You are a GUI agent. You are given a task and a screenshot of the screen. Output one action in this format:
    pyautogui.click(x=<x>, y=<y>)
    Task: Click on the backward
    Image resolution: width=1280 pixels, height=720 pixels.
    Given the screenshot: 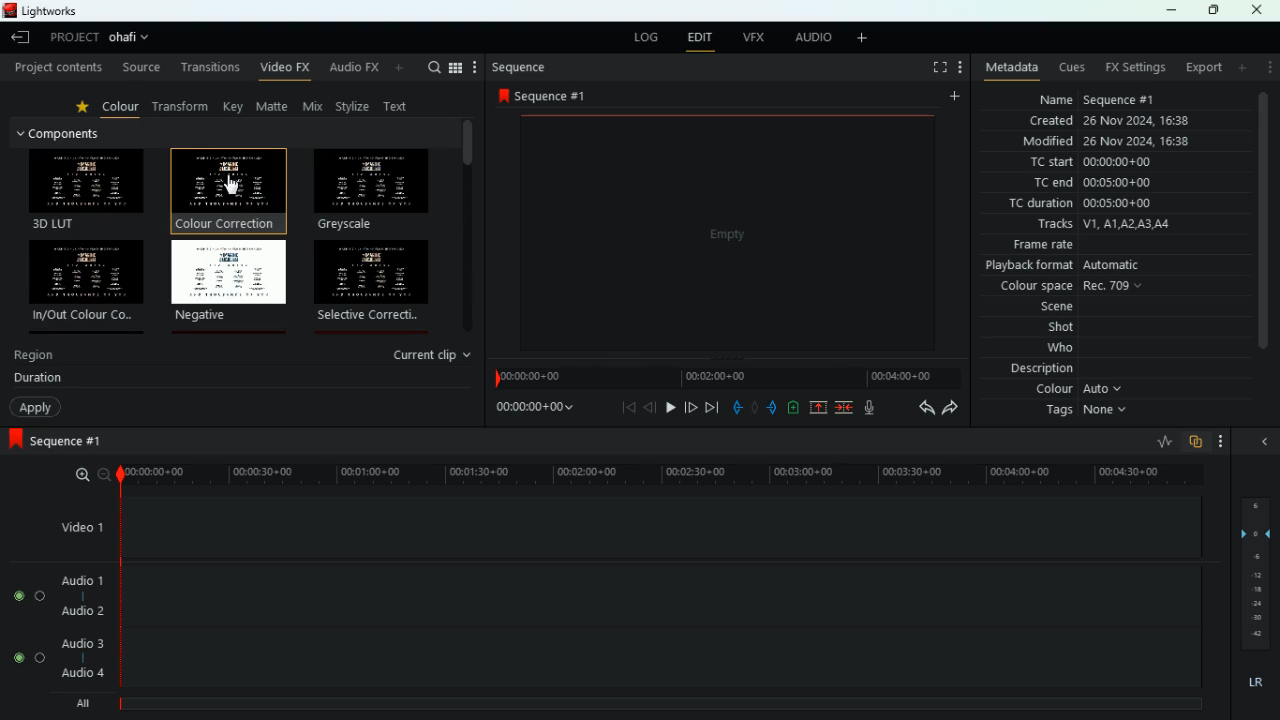 What is the action you would take?
    pyautogui.click(x=651, y=409)
    